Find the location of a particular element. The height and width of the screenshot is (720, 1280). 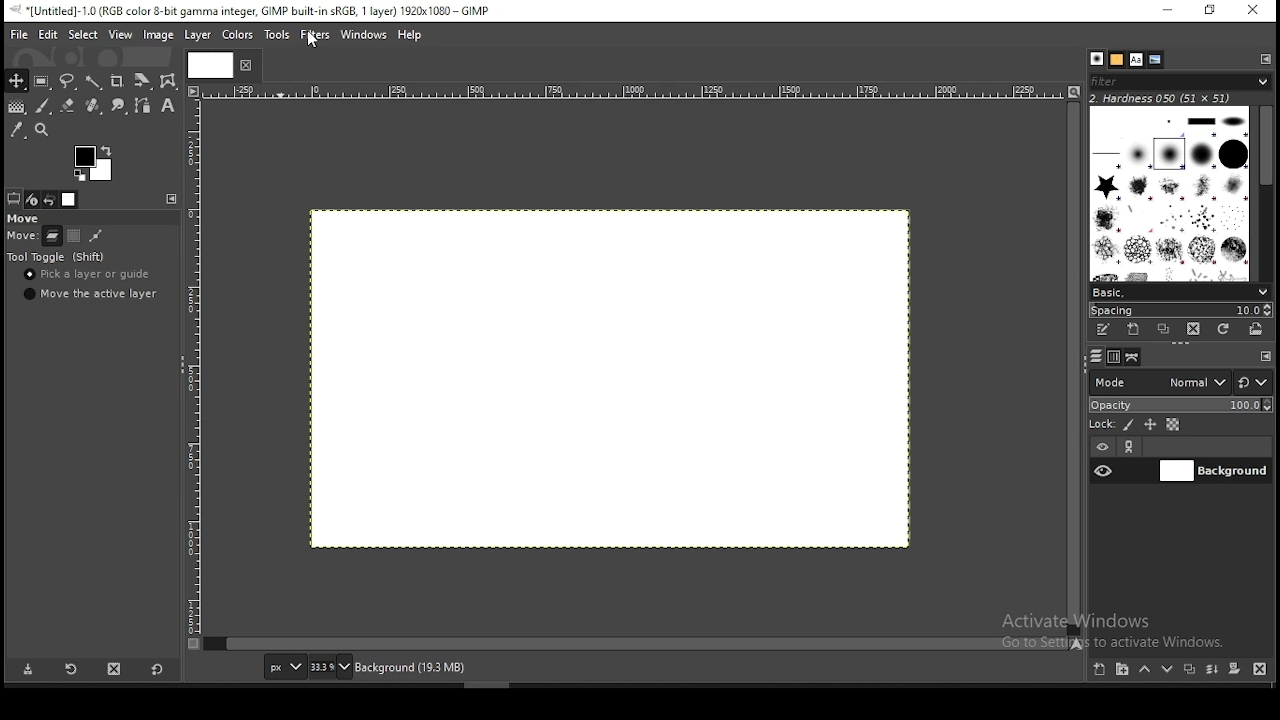

layer visibility is located at coordinates (1102, 444).